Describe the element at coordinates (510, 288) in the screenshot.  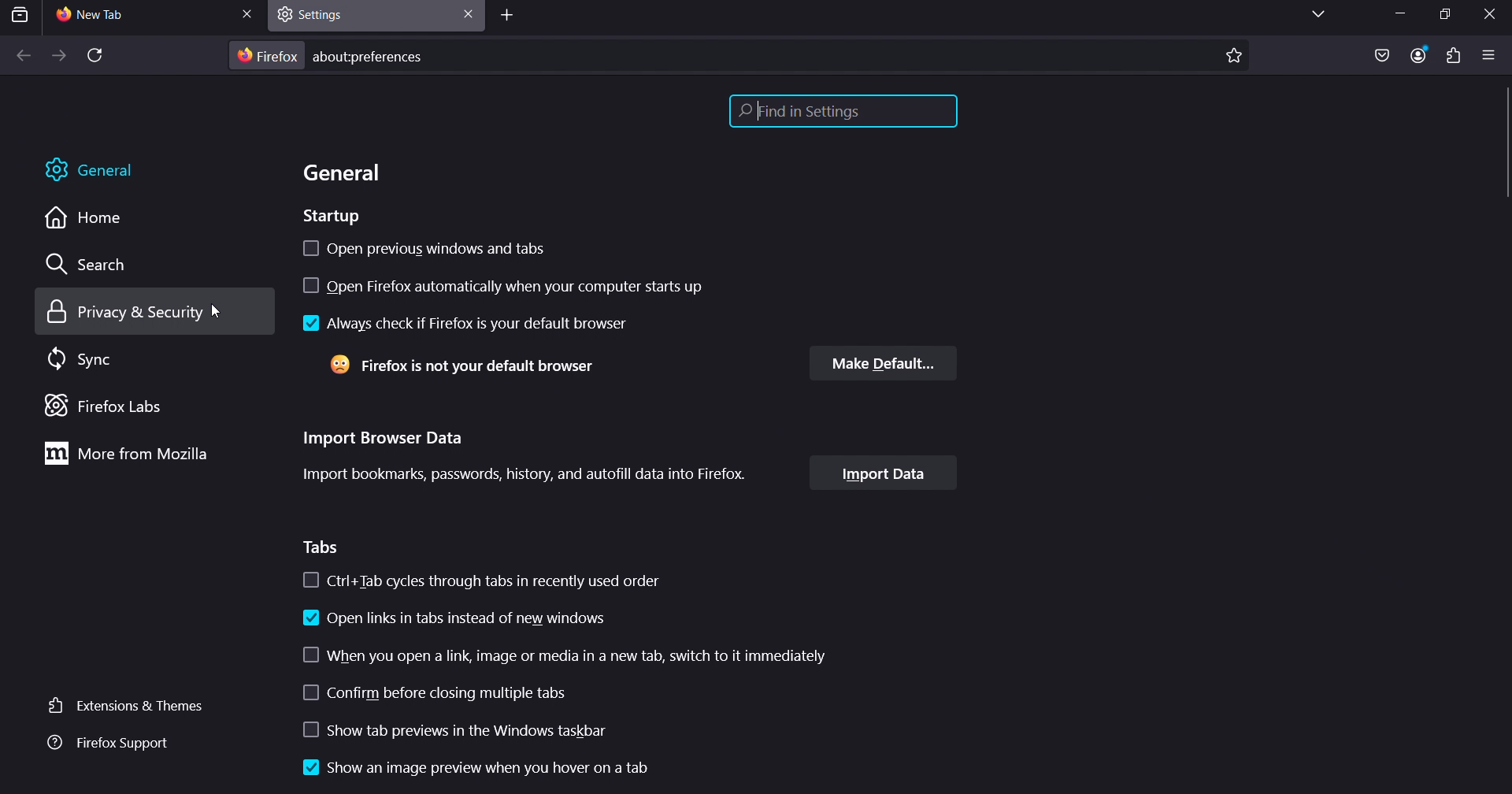
I see `open automatically when computer startups` at that location.